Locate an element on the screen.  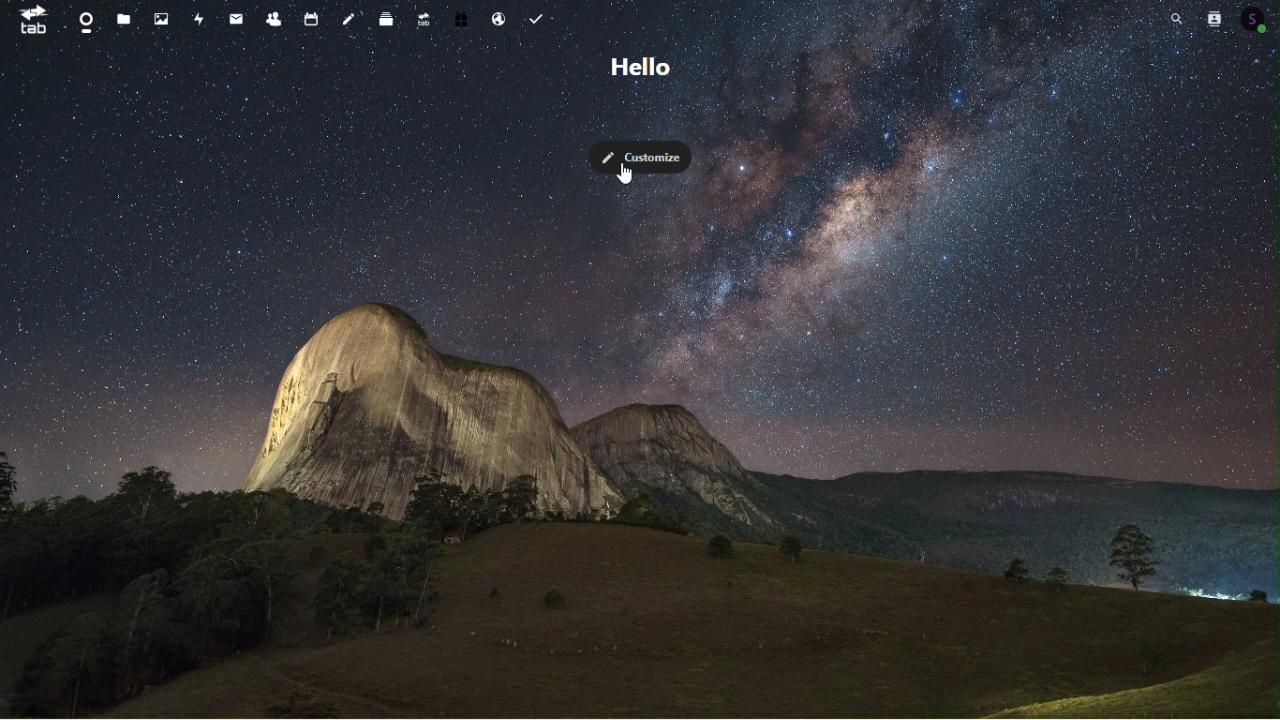
Account icon is located at coordinates (1260, 20).